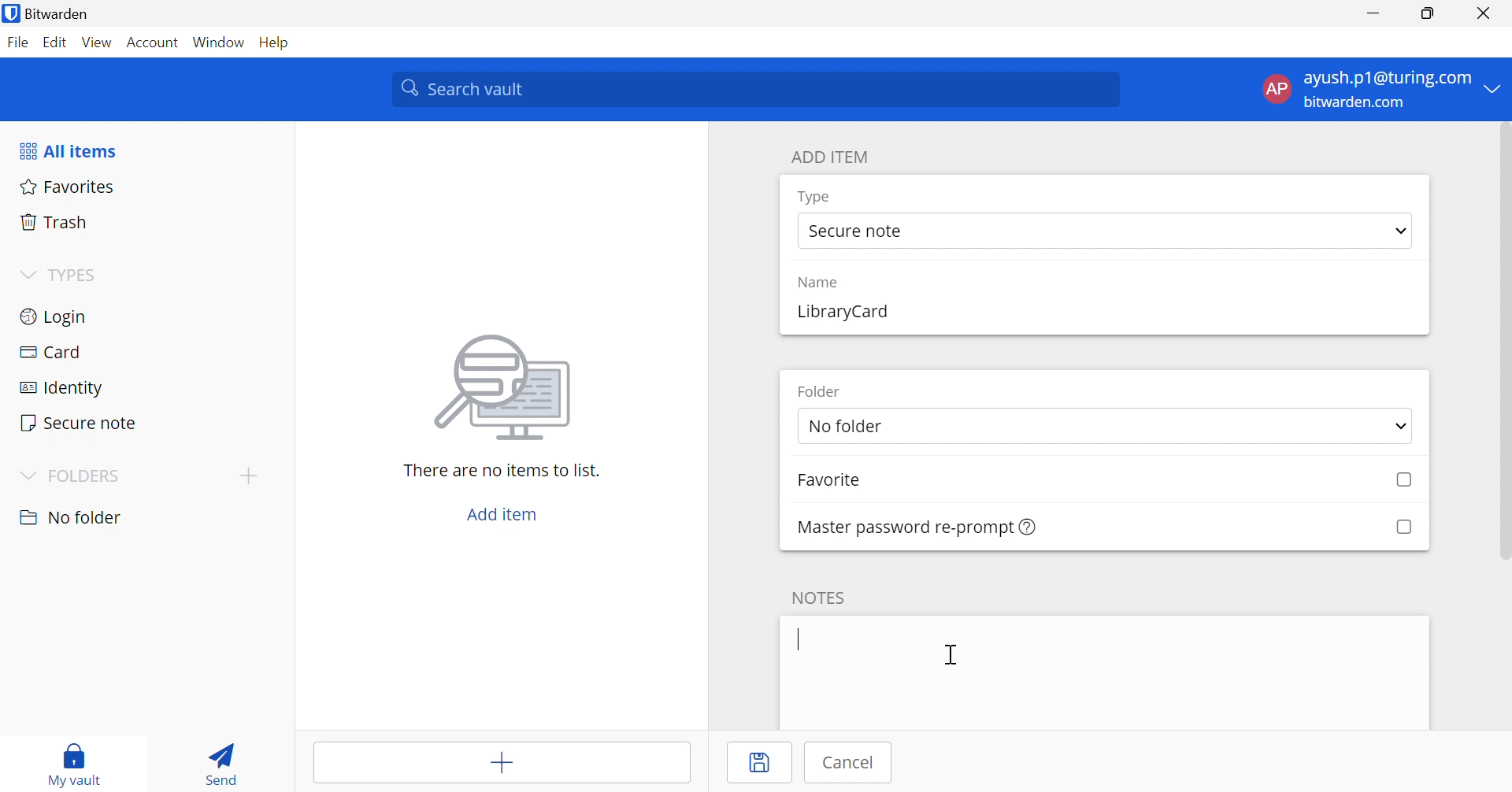  What do you see at coordinates (815, 198) in the screenshot?
I see `Type` at bounding box center [815, 198].